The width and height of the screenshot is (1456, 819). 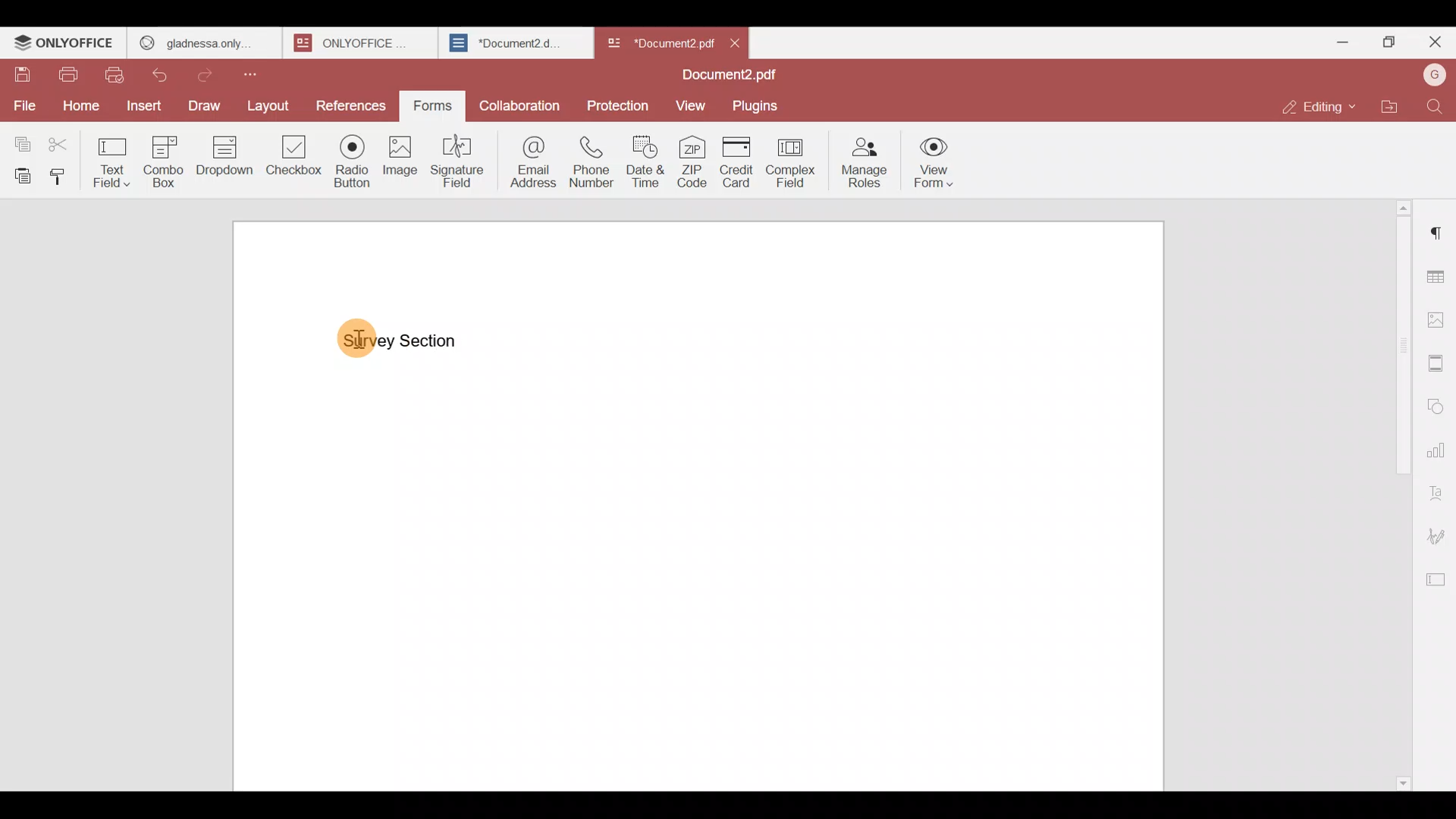 What do you see at coordinates (290, 159) in the screenshot?
I see `Checkbox` at bounding box center [290, 159].